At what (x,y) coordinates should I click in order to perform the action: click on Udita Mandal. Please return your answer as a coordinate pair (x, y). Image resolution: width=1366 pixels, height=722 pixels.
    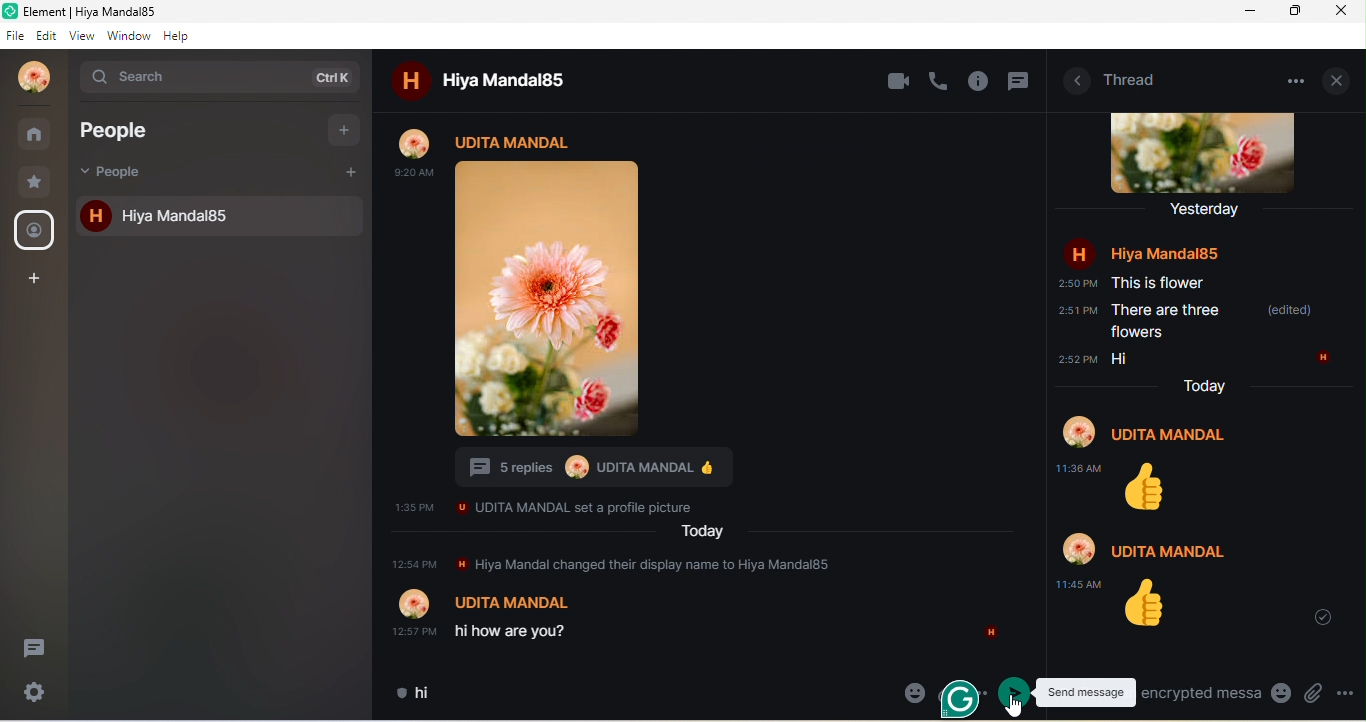
    Looking at the image, I should click on (1168, 550).